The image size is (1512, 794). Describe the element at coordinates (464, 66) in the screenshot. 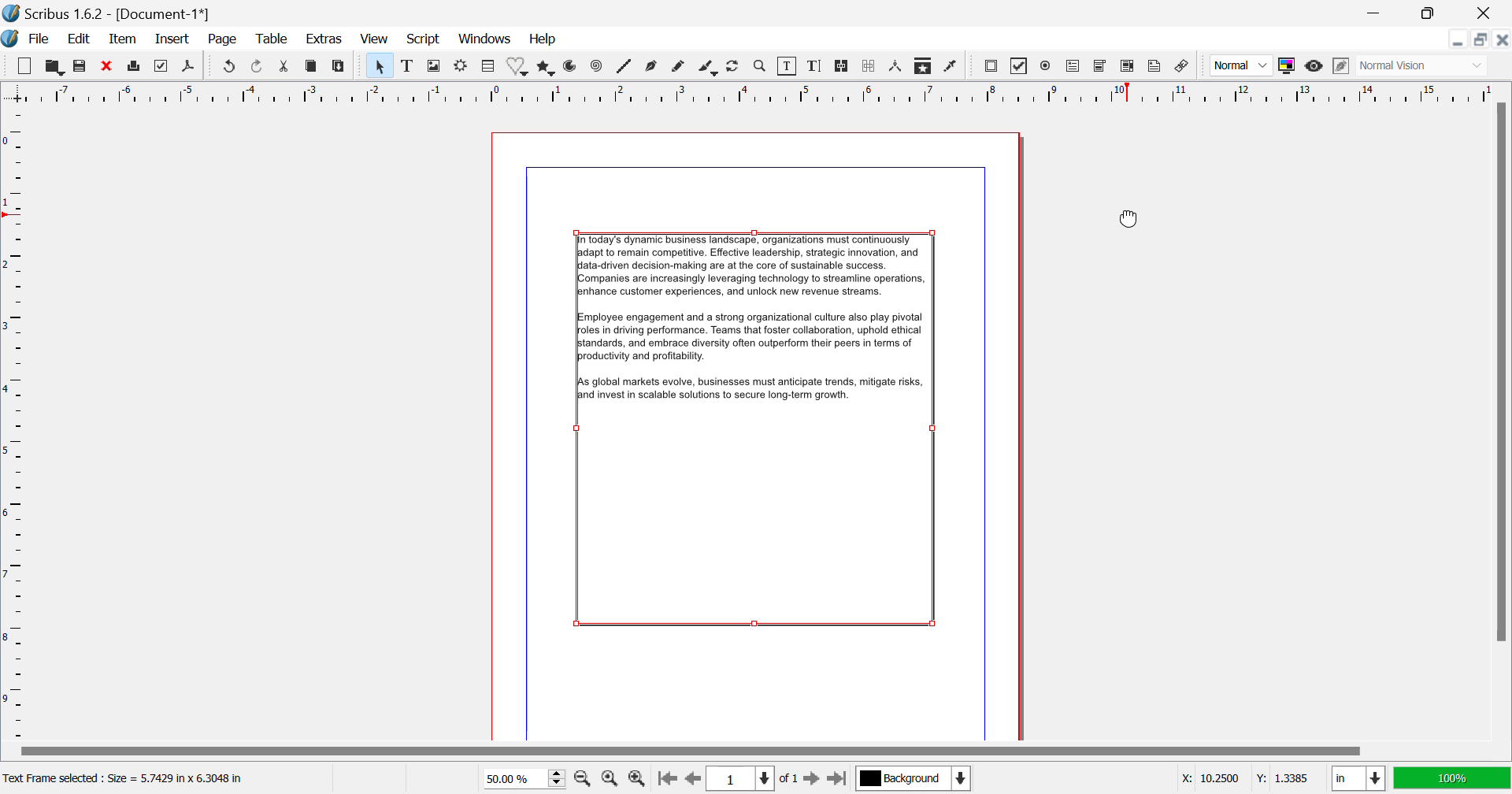

I see `Render Frame` at that location.